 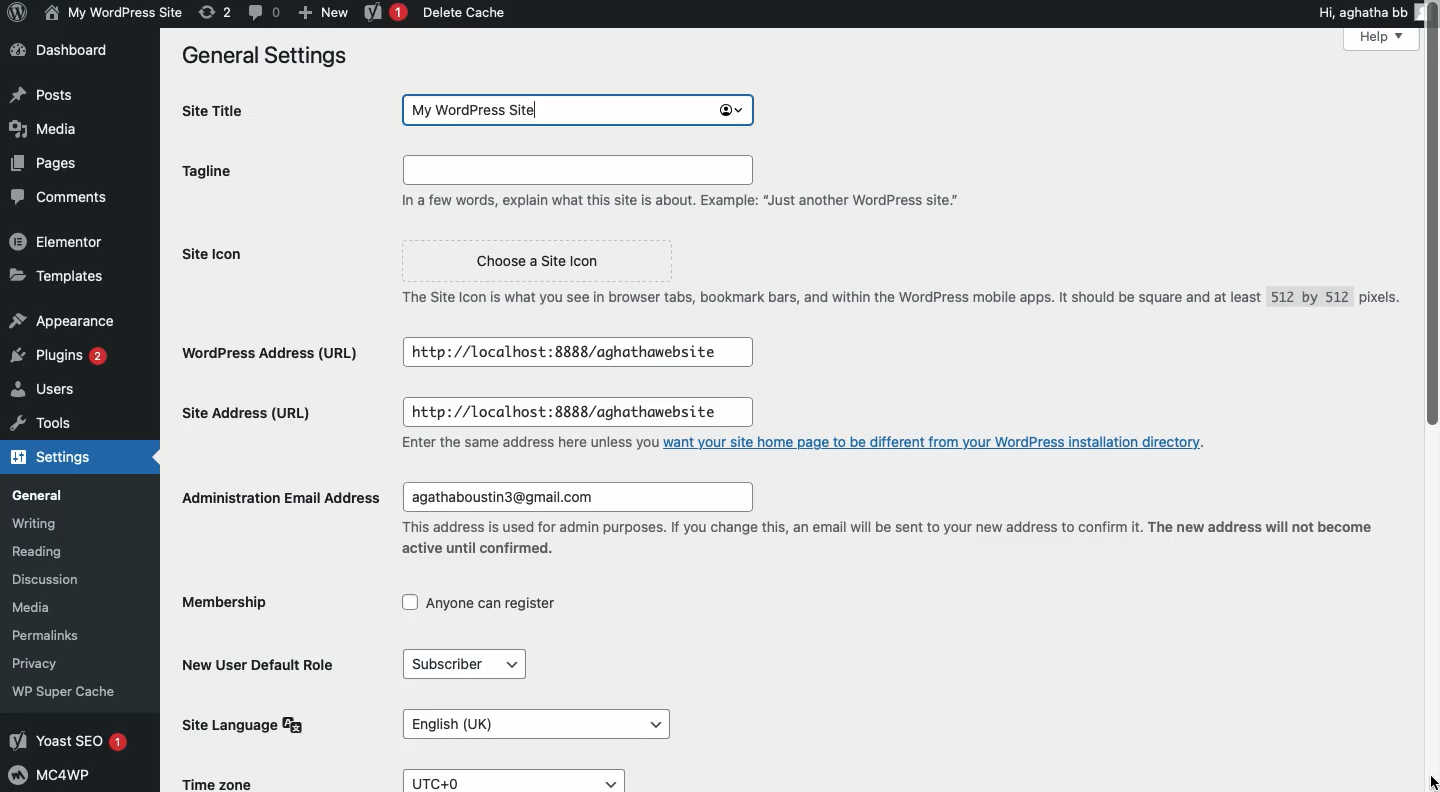 I want to click on Settings, so click(x=59, y=457).